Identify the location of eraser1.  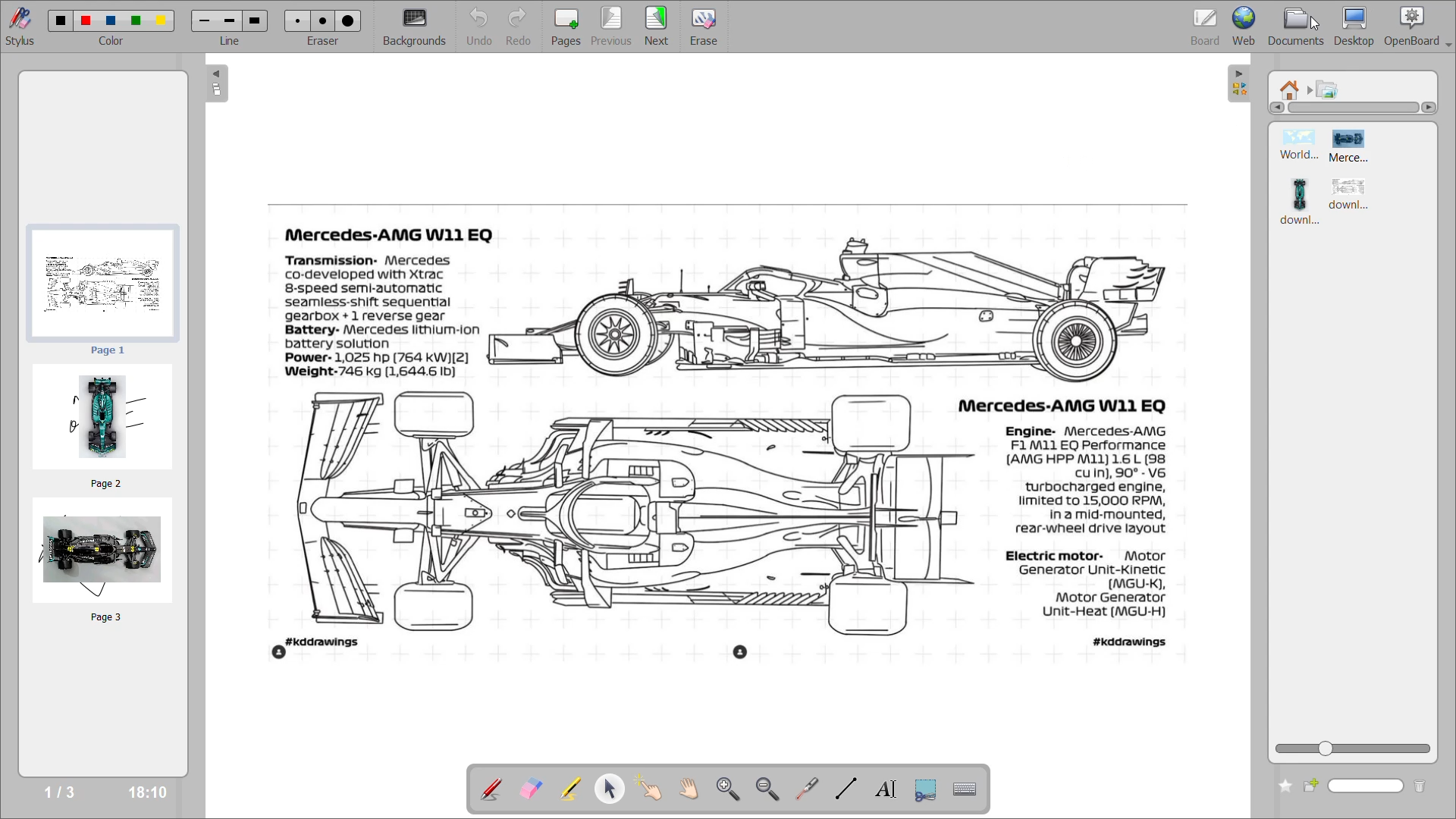
(297, 20).